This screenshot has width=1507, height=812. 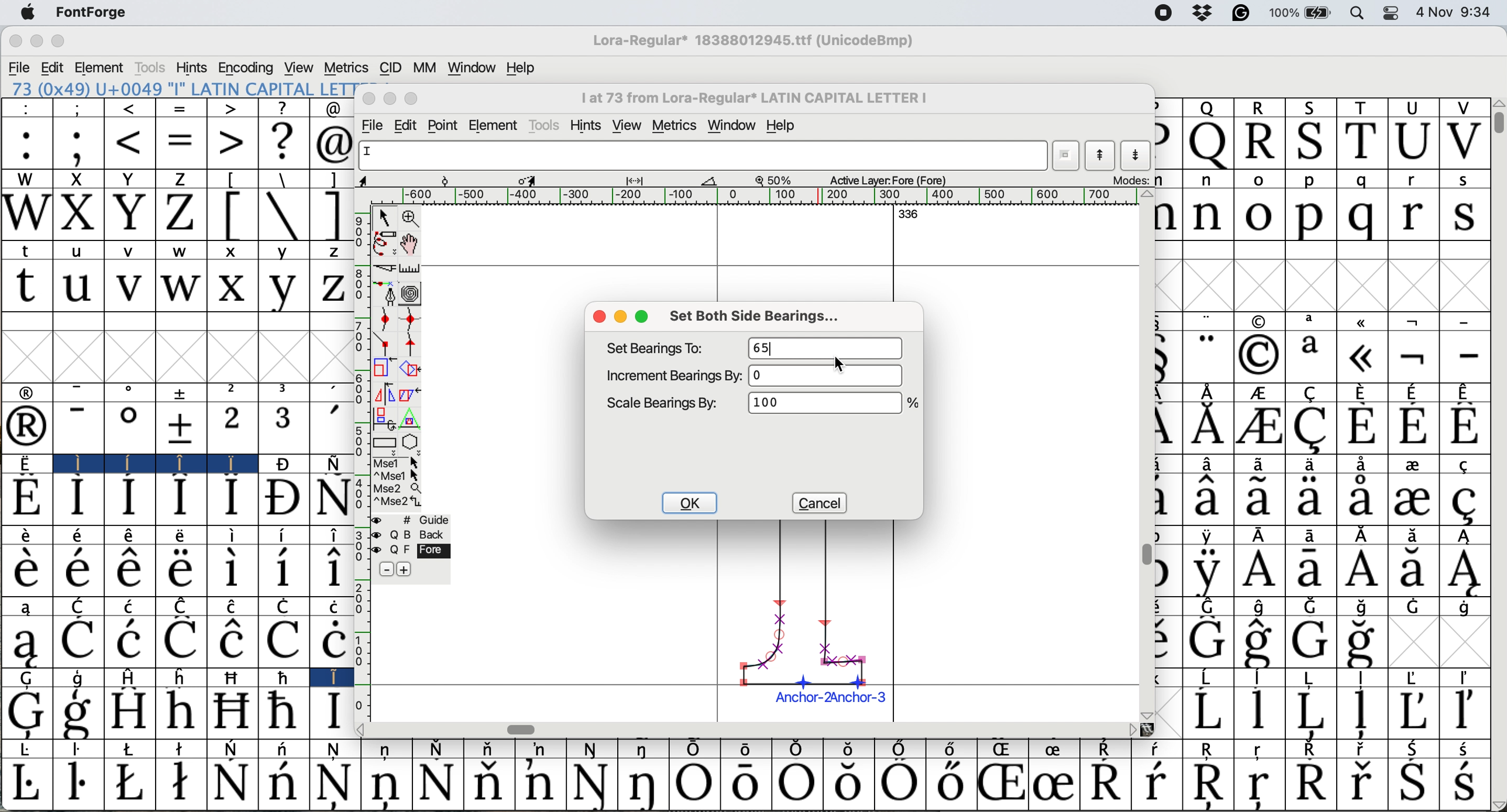 I want to click on , so click(x=913, y=404).